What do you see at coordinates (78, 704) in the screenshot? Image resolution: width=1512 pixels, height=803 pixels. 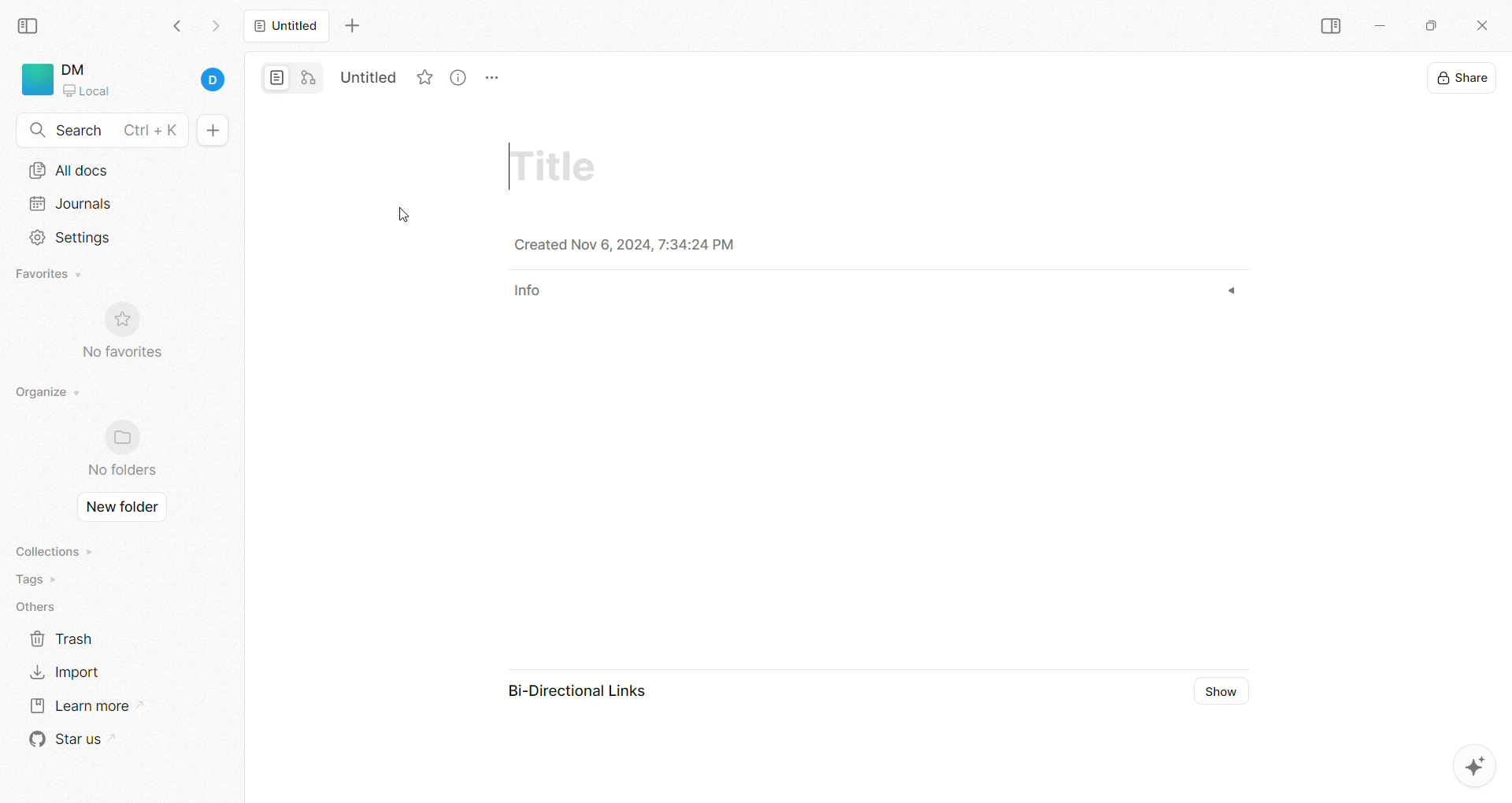 I see `learn more` at bounding box center [78, 704].